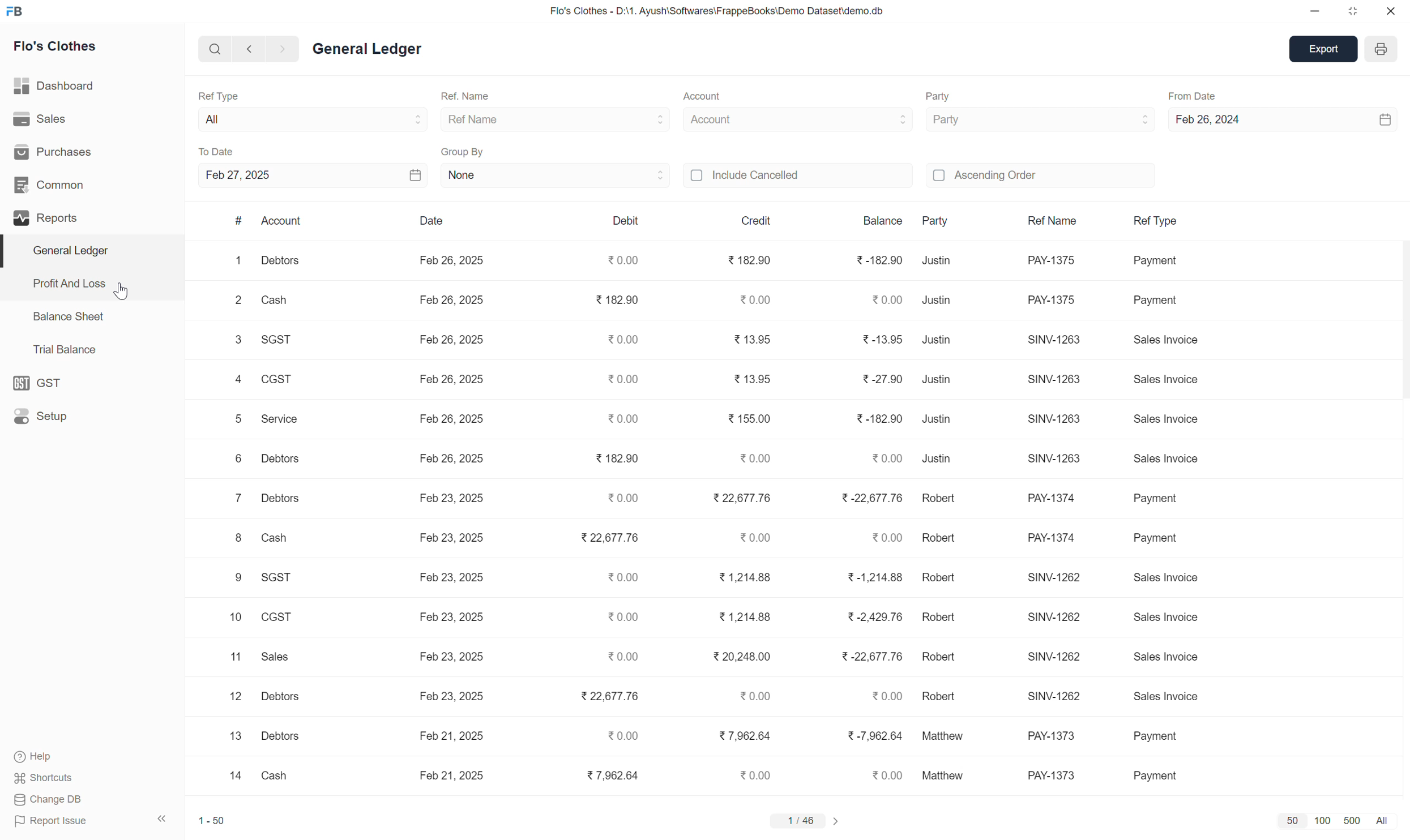 Image resolution: width=1410 pixels, height=840 pixels. What do you see at coordinates (280, 617) in the screenshot?
I see `CGST` at bounding box center [280, 617].